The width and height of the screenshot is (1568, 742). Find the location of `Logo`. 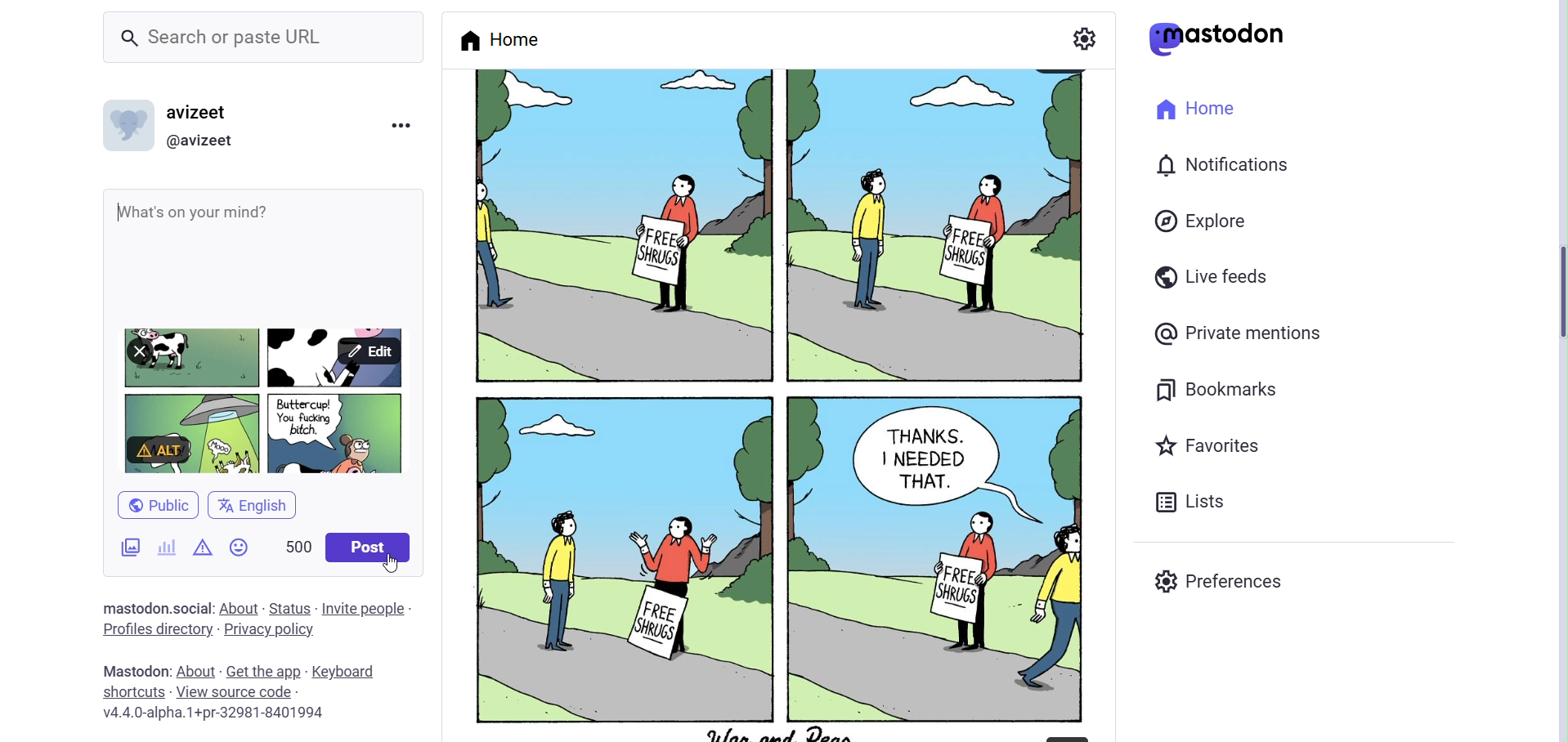

Logo is located at coordinates (1218, 39).